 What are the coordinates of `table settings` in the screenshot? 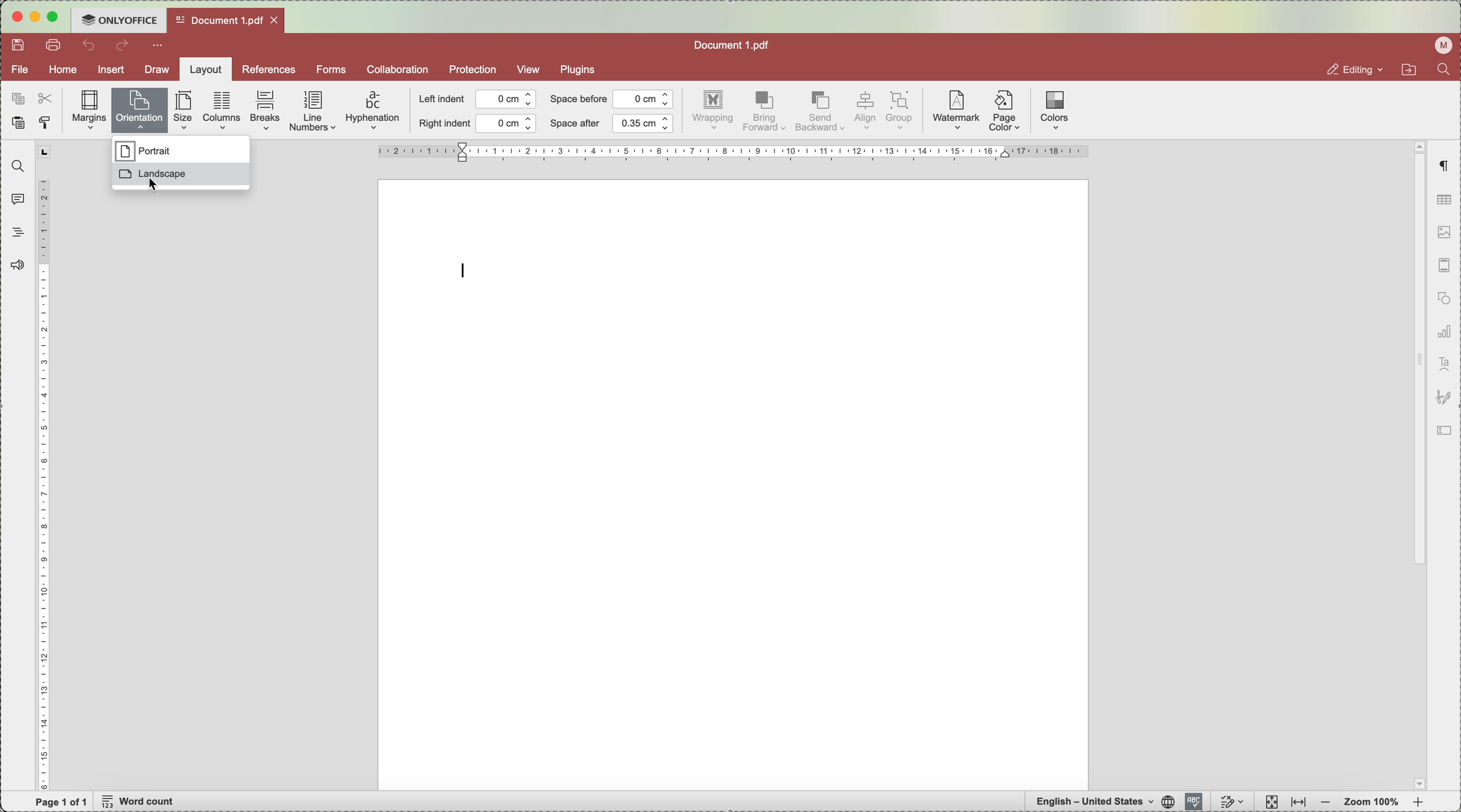 It's located at (1444, 200).